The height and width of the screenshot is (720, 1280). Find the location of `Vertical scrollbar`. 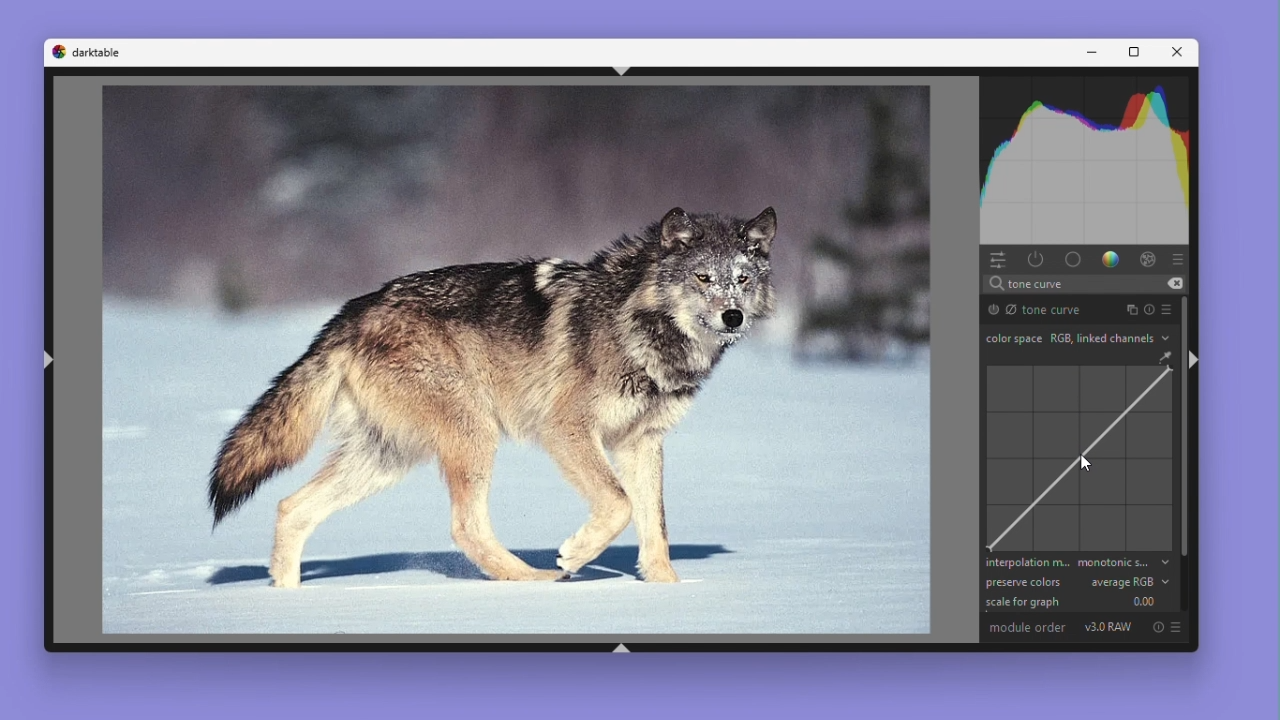

Vertical scrollbar is located at coordinates (1182, 427).